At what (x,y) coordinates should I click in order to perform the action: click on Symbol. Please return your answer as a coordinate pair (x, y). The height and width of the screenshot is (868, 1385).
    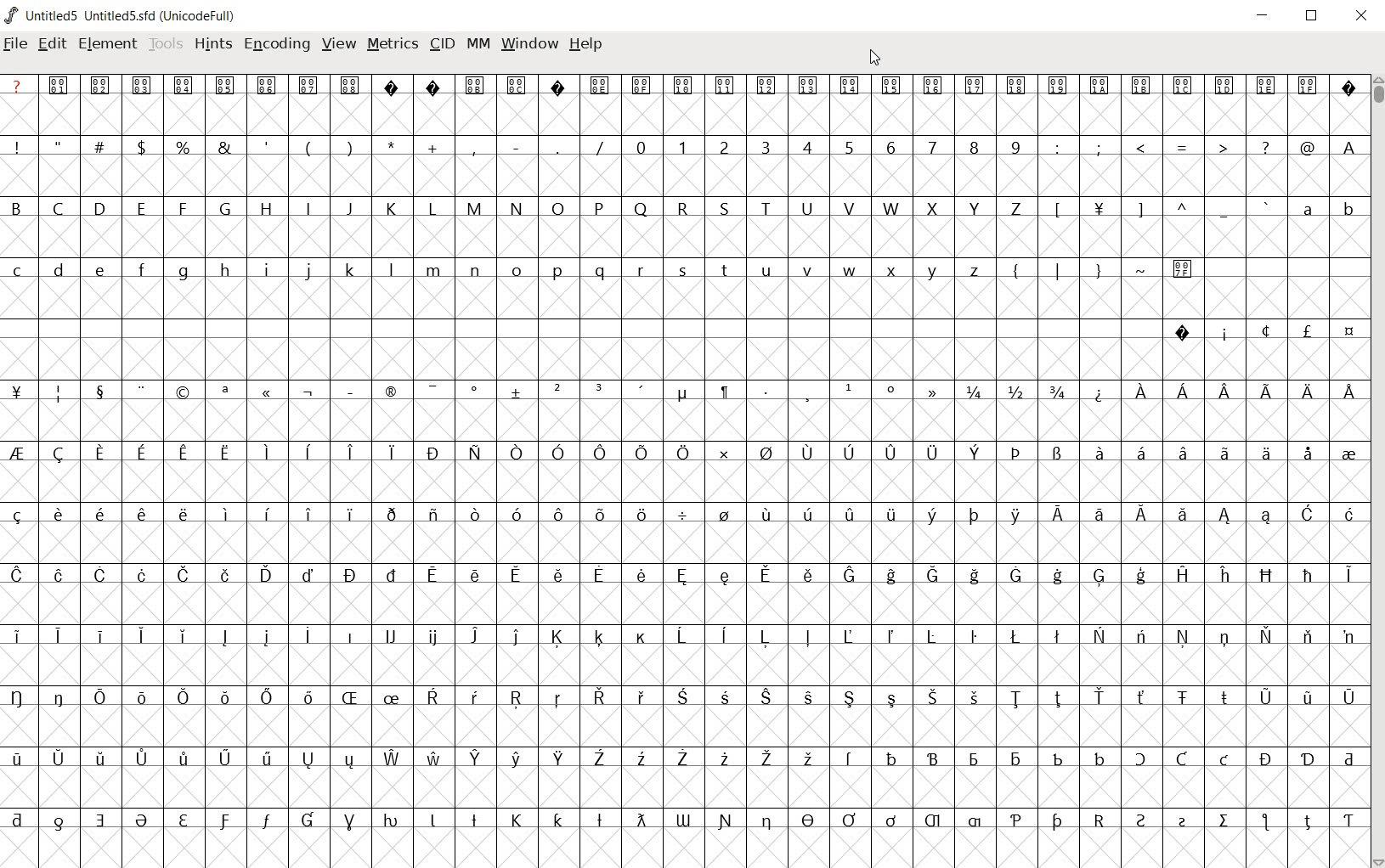
    Looking at the image, I should click on (640, 697).